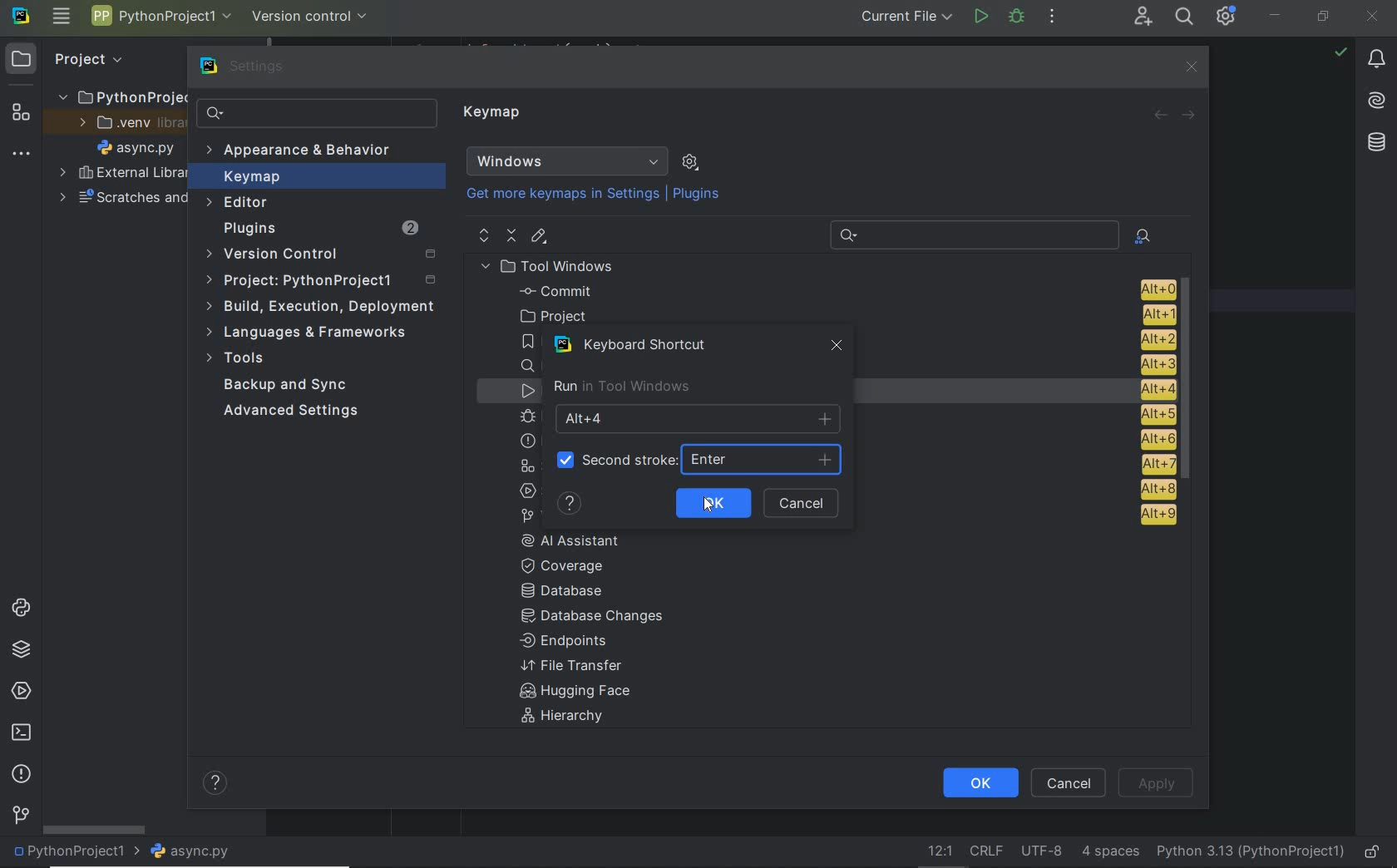  What do you see at coordinates (324, 281) in the screenshot?
I see `Project` at bounding box center [324, 281].